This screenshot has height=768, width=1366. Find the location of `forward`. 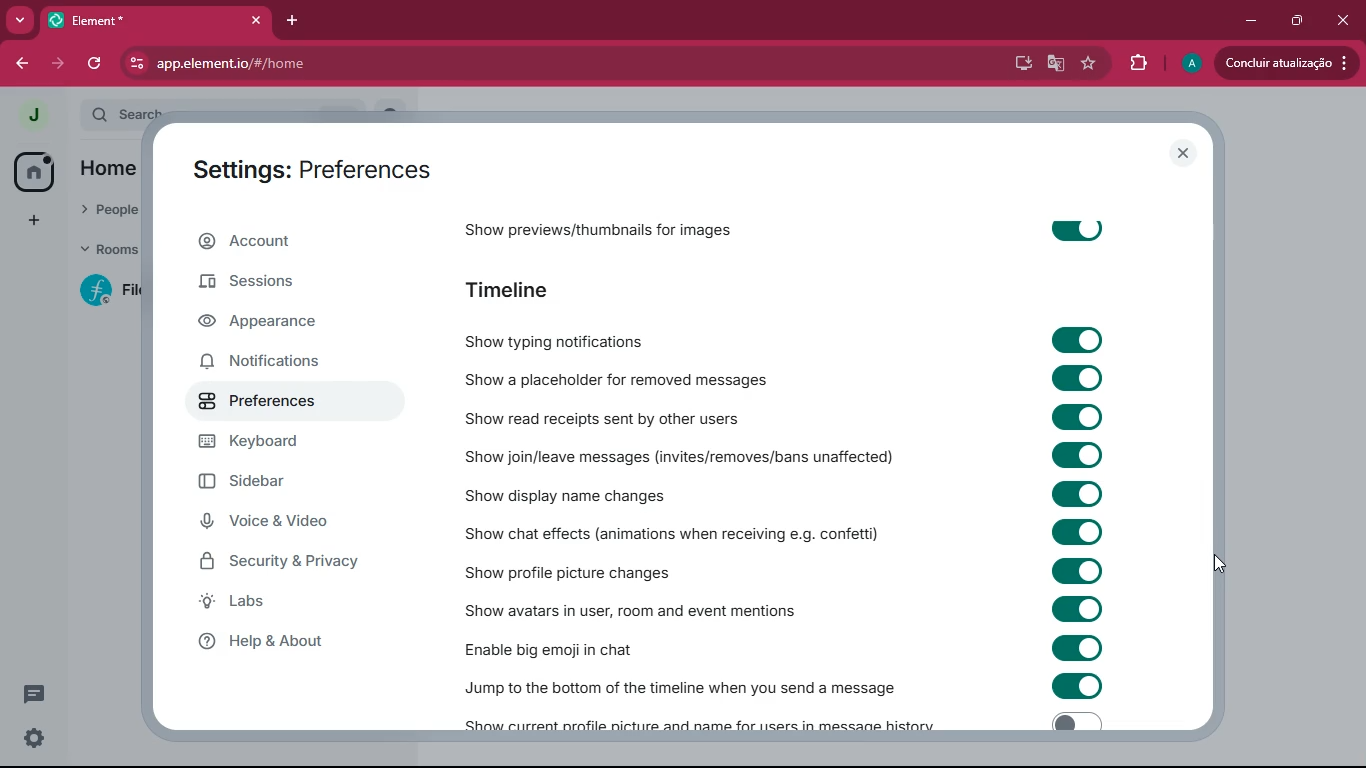

forward is located at coordinates (57, 63).